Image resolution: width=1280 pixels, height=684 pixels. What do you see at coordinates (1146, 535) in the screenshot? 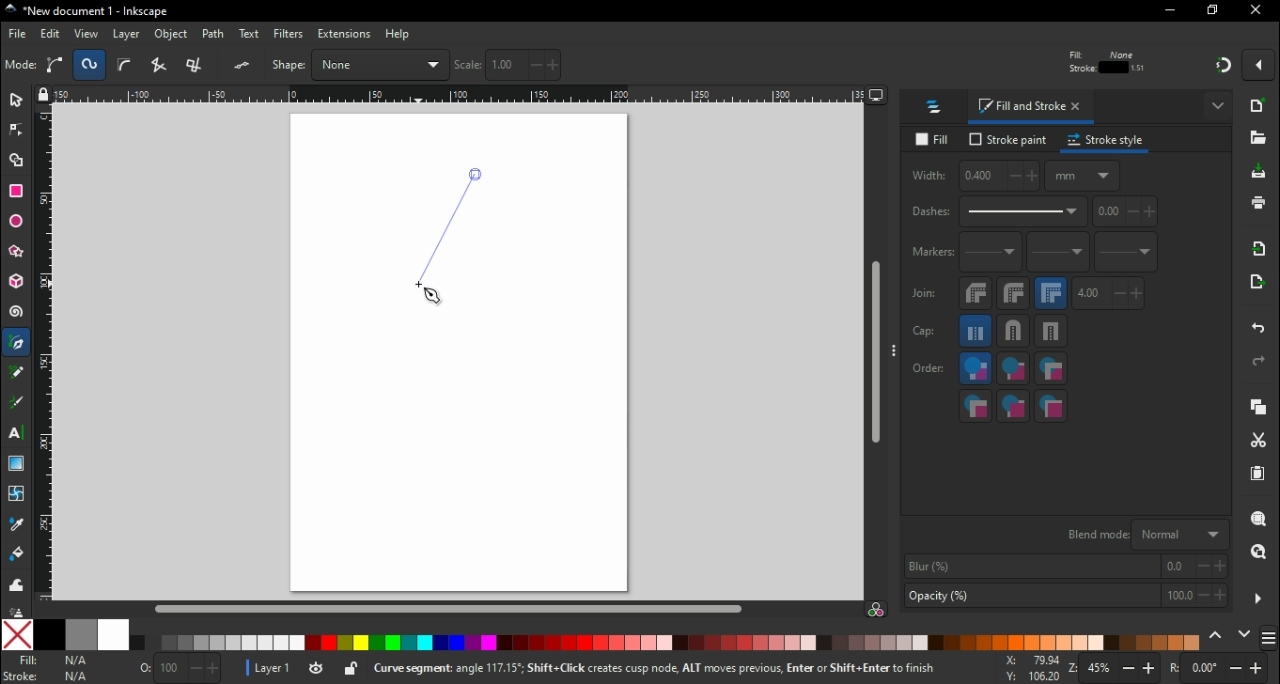
I see `blend mode` at bounding box center [1146, 535].